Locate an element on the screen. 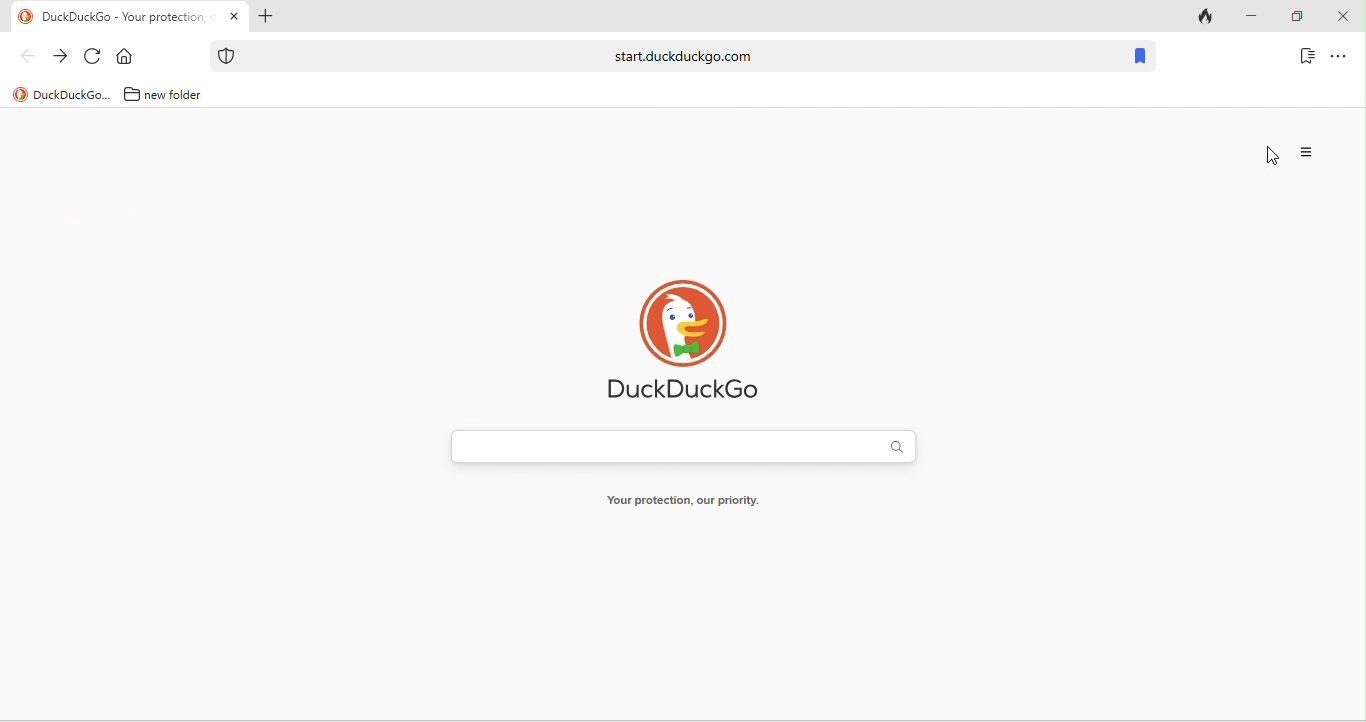 The image size is (1366, 722). minimize is located at coordinates (1252, 14).